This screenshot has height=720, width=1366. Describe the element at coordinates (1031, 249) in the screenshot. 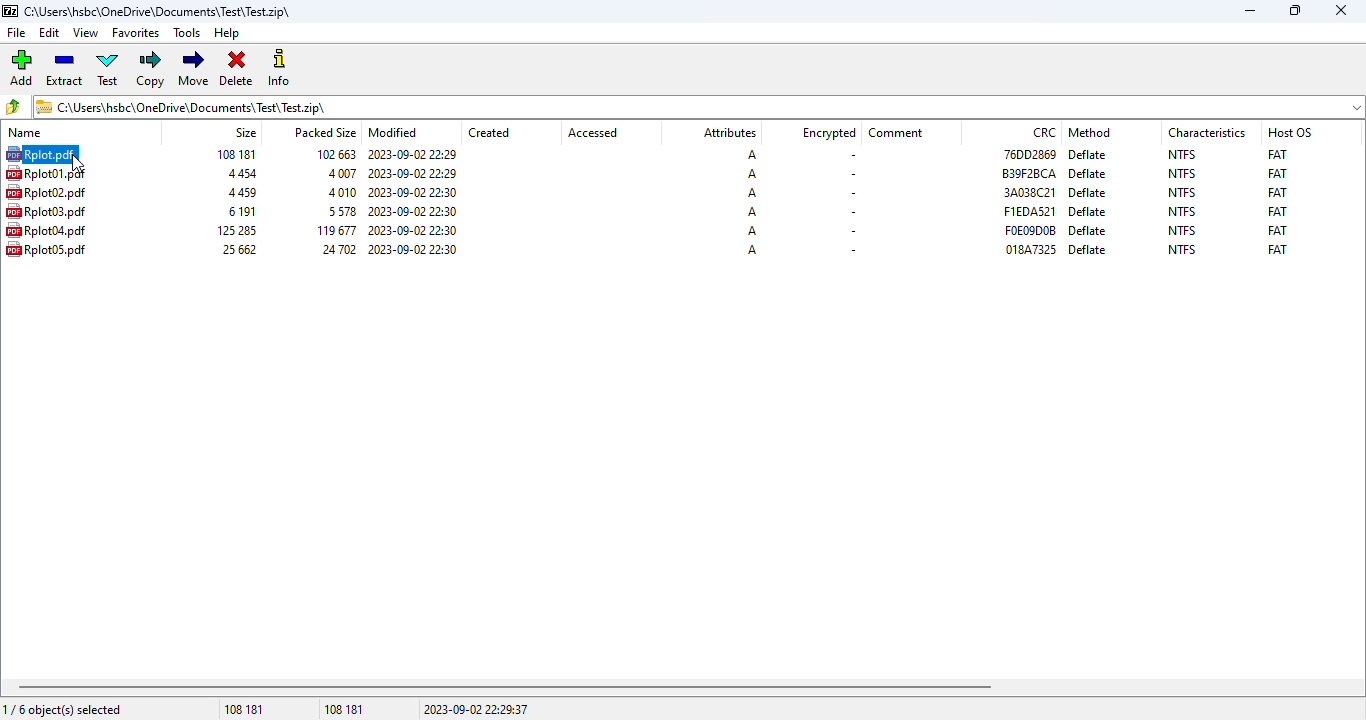

I see `CRC` at that location.